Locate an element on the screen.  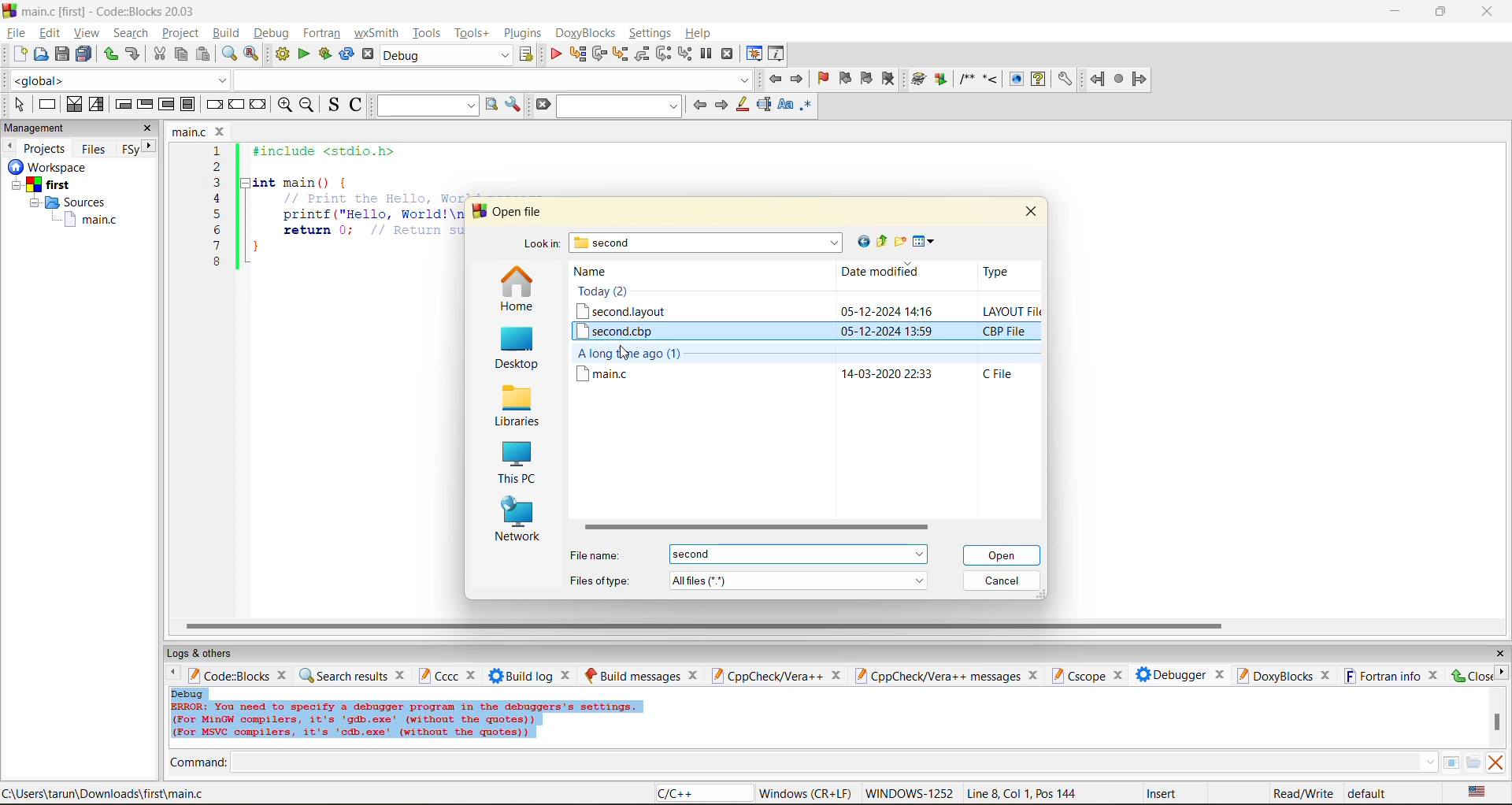
find is located at coordinates (228, 54).